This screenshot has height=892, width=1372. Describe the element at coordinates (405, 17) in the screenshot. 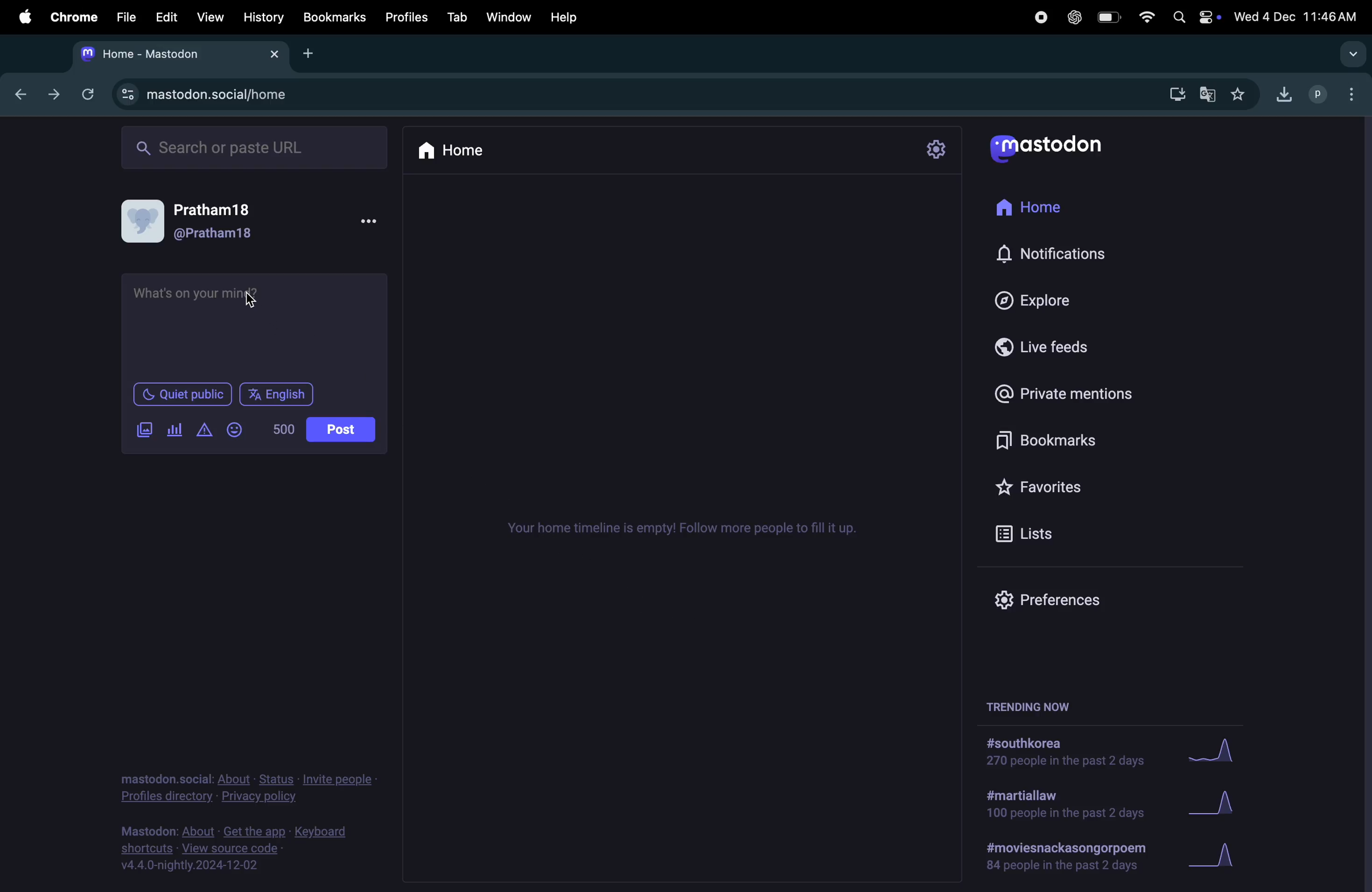

I see `profiles` at that location.